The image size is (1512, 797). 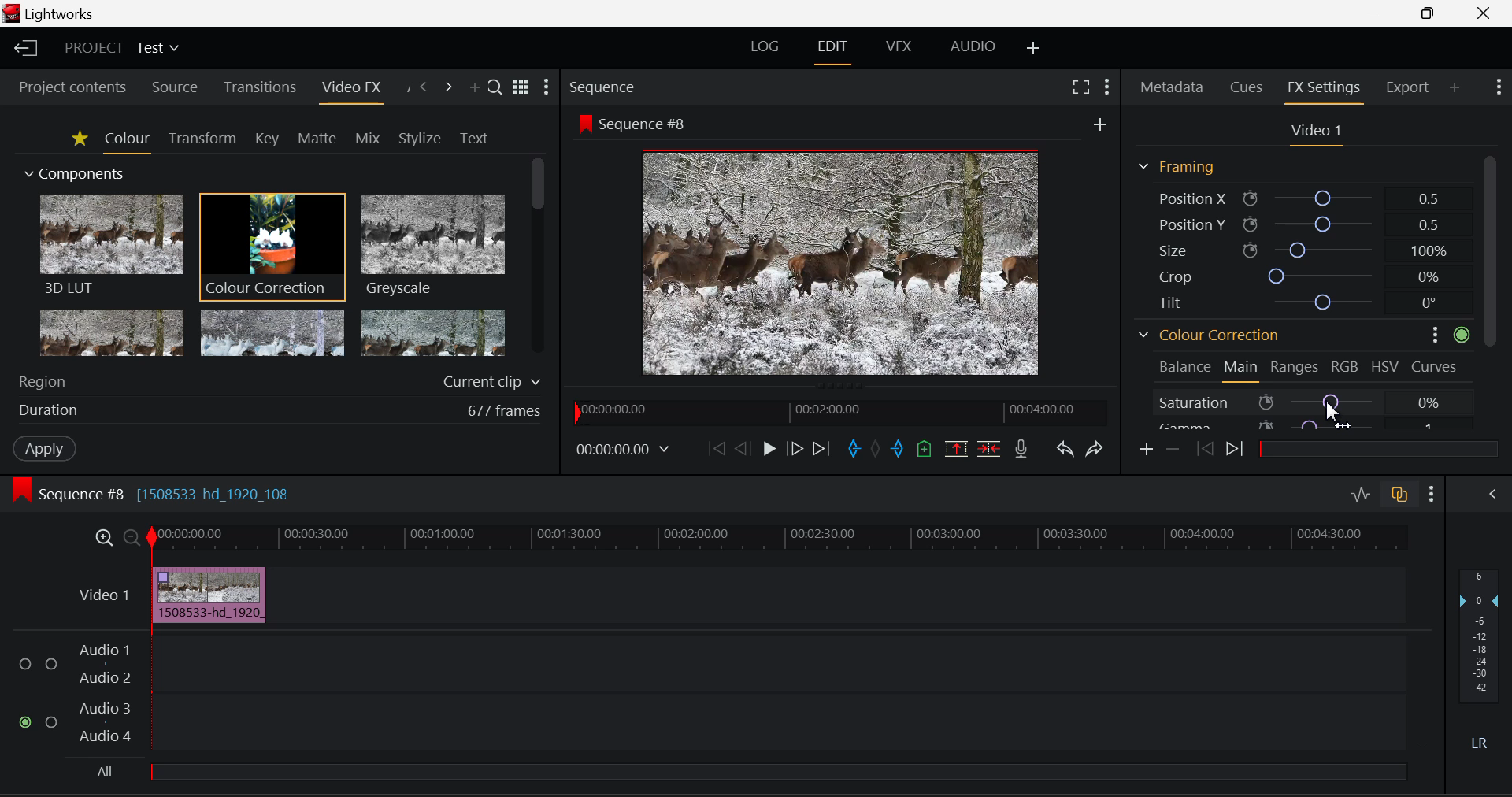 I want to click on Remove Marked Section, so click(x=955, y=449).